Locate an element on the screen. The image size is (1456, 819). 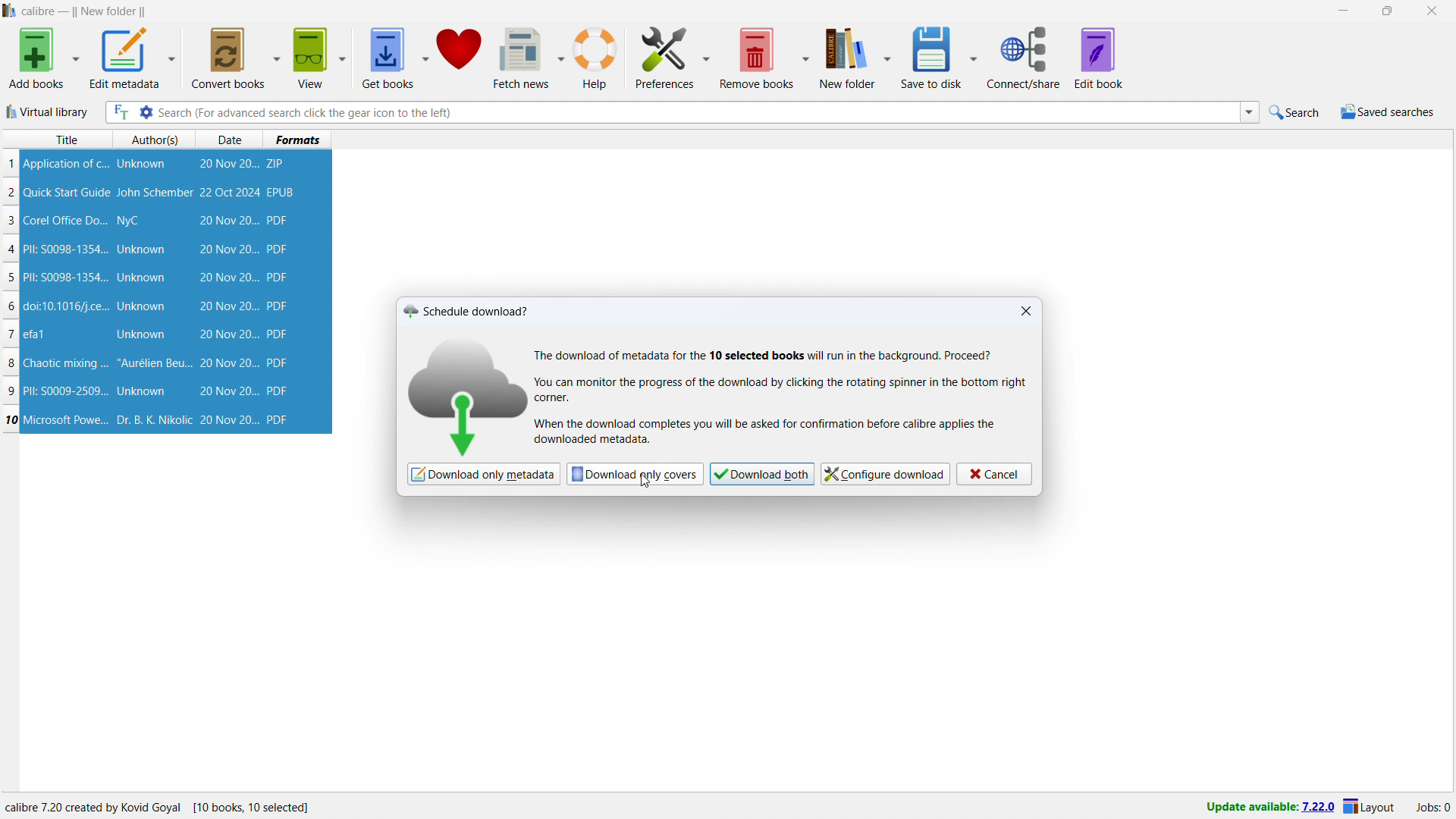
Chaotic mixing ... is located at coordinates (65, 364).